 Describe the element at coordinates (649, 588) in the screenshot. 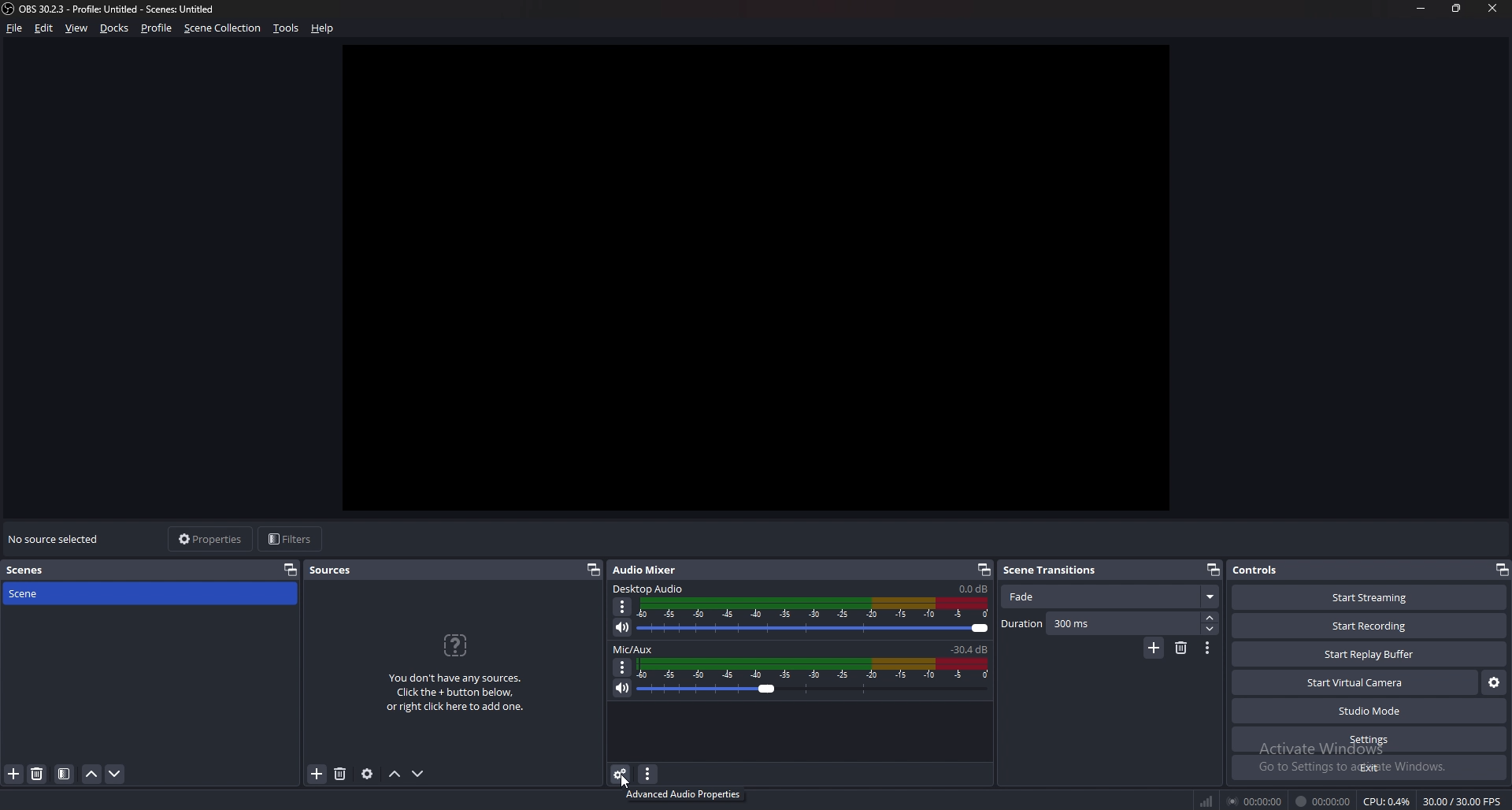

I see `desktop audio` at that location.